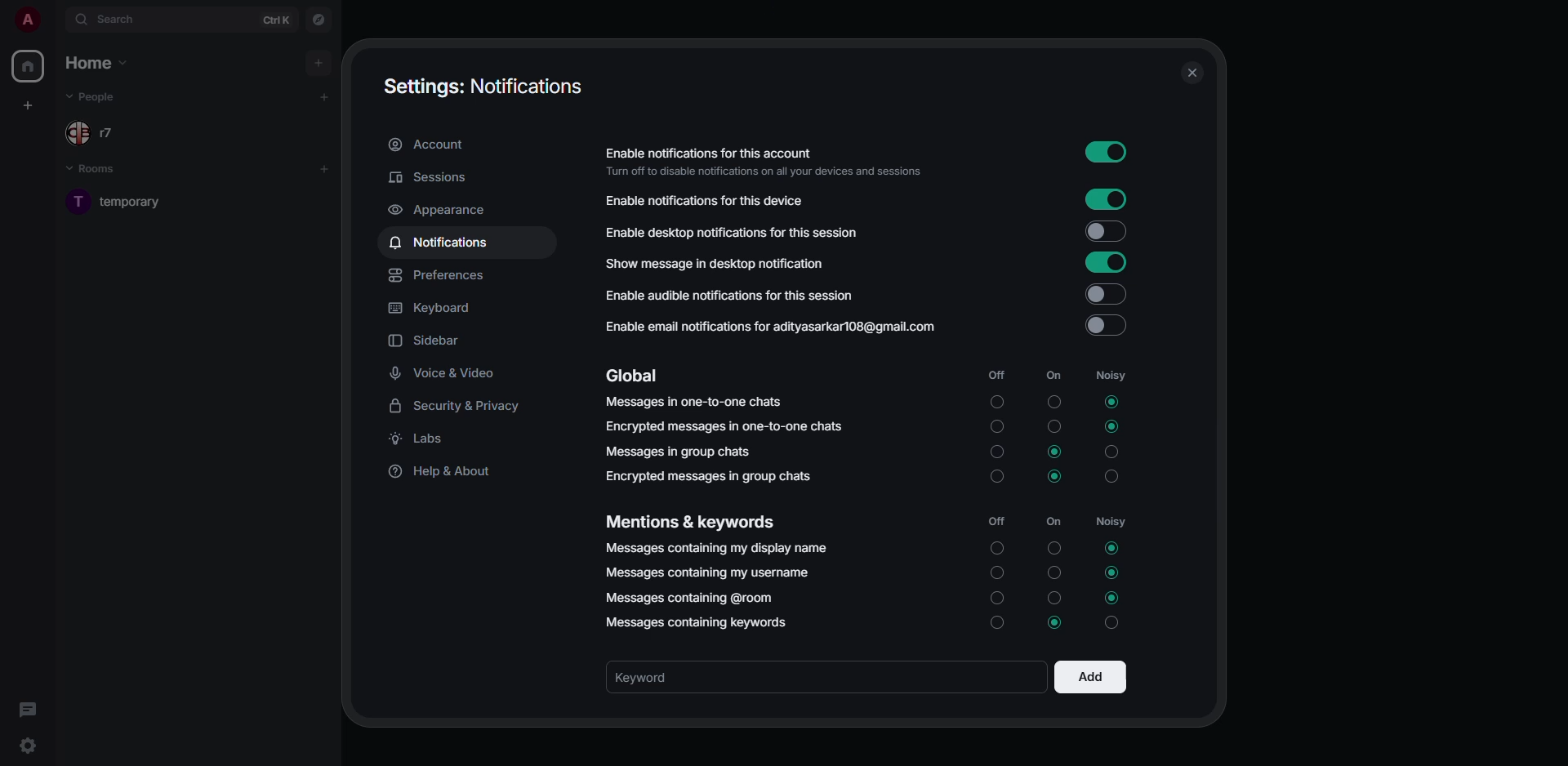  What do you see at coordinates (763, 159) in the screenshot?
I see `enable notifications for this account` at bounding box center [763, 159].